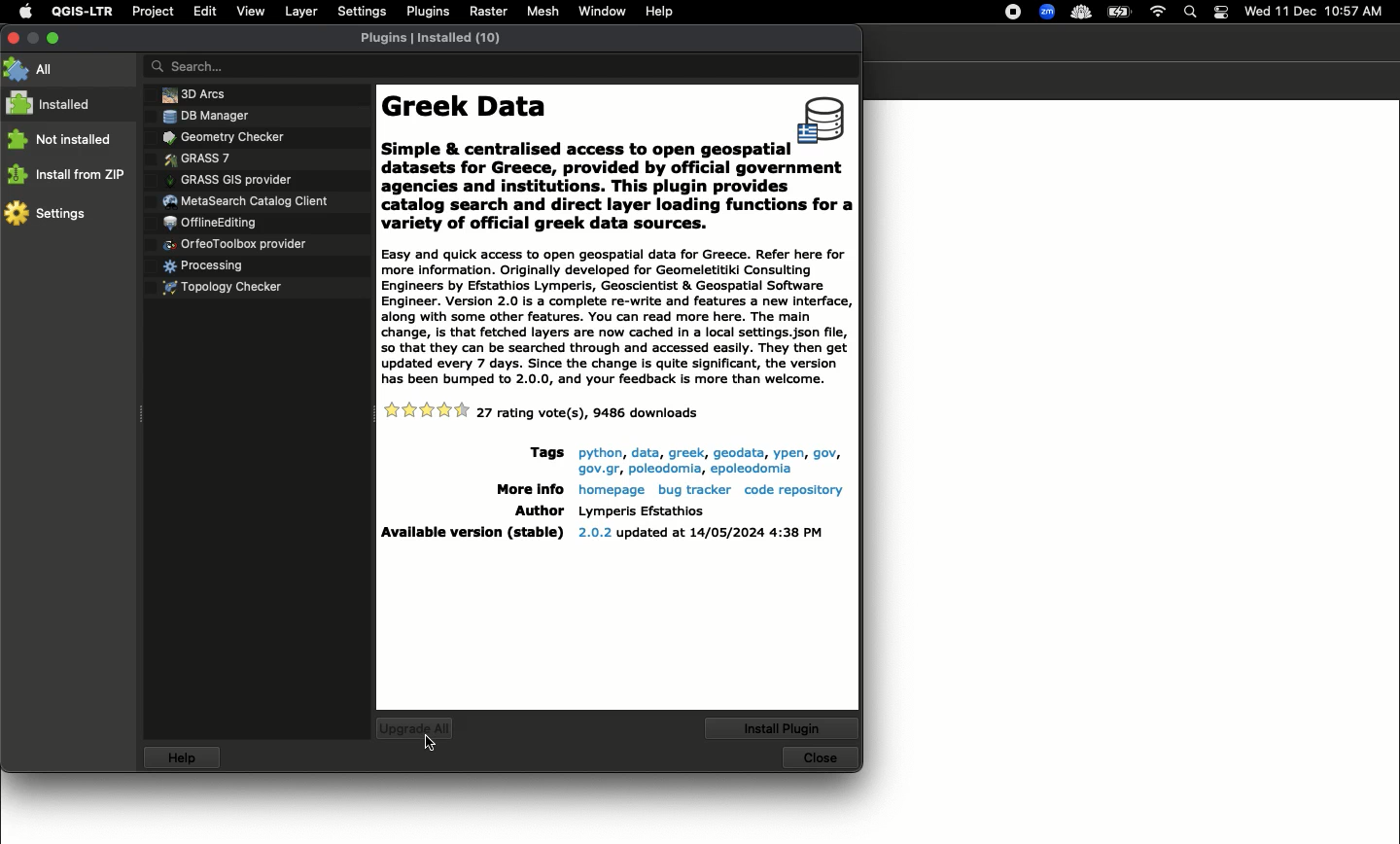 Image resolution: width=1400 pixels, height=844 pixels. Describe the element at coordinates (701, 533) in the screenshot. I see `2.0.2 updated at 14/05/2024 4:38 P` at that location.